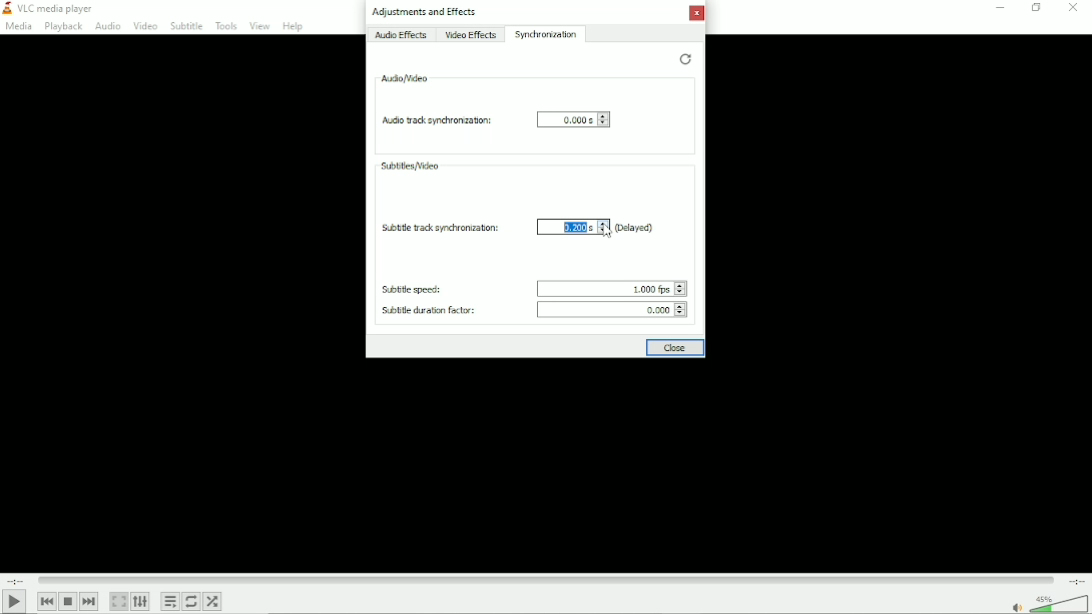 This screenshot has width=1092, height=614. I want to click on 0.200 s, so click(566, 228).